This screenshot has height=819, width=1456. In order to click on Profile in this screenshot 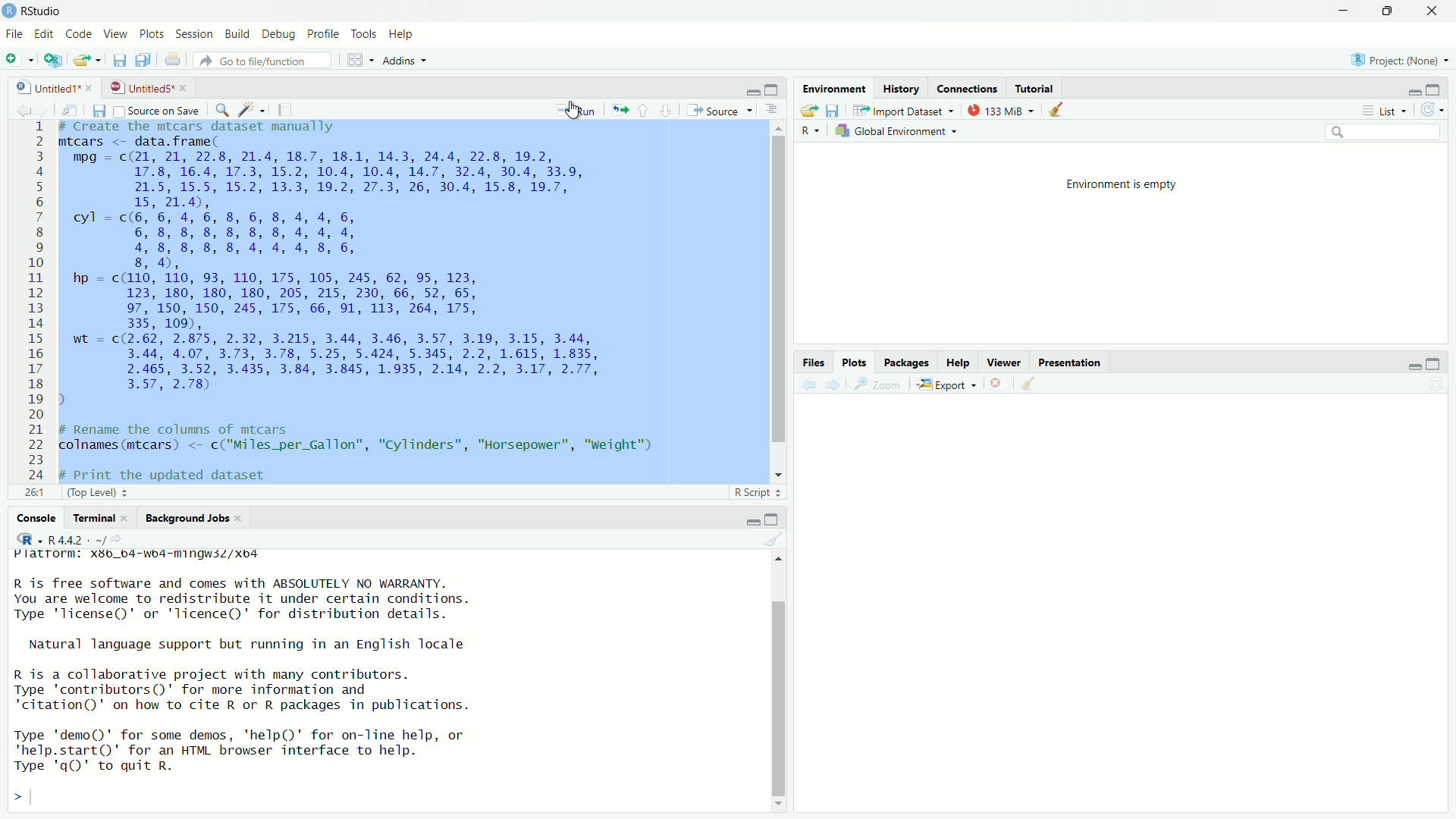, I will do `click(326, 35)`.